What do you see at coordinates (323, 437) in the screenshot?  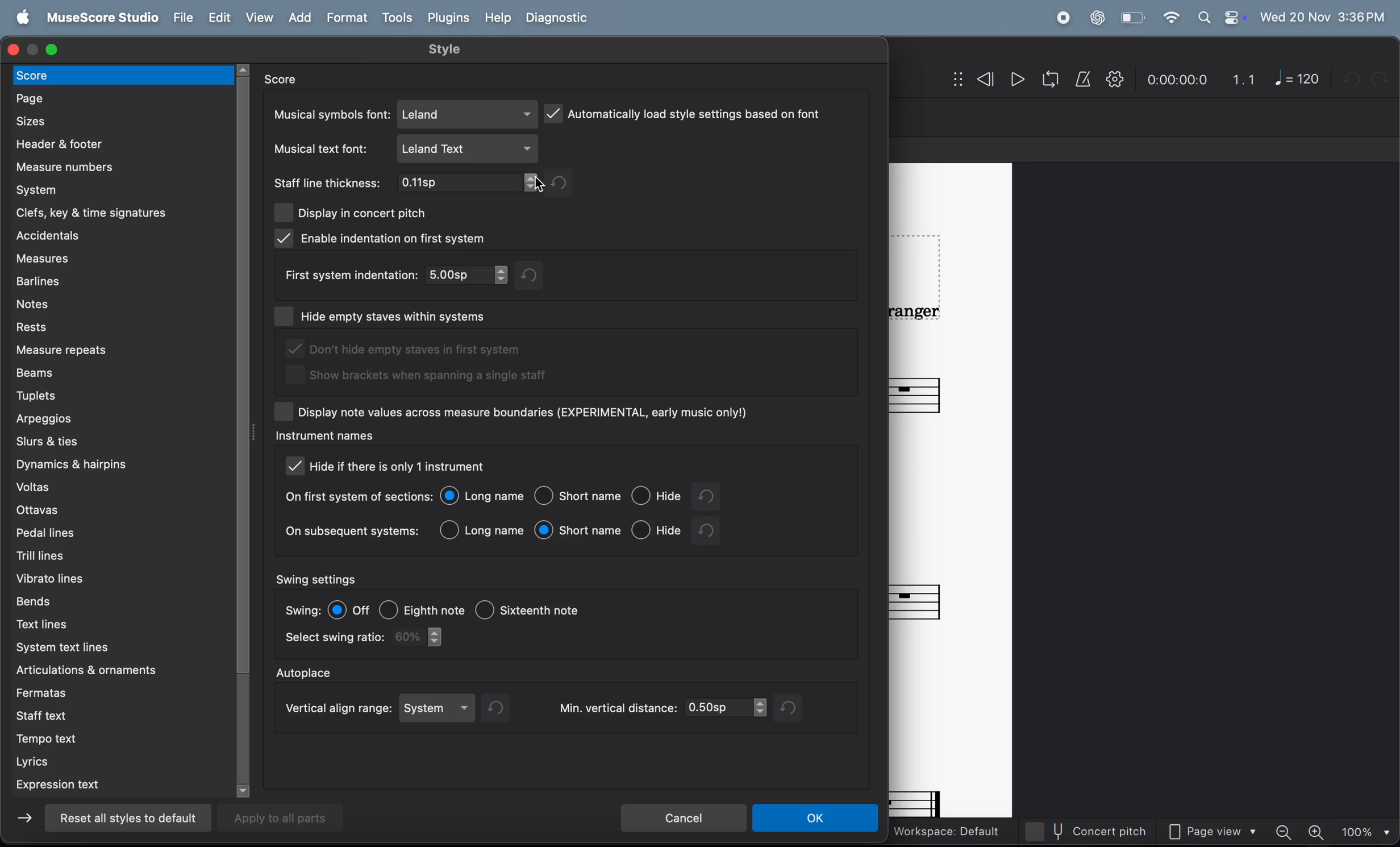 I see `instruments` at bounding box center [323, 437].